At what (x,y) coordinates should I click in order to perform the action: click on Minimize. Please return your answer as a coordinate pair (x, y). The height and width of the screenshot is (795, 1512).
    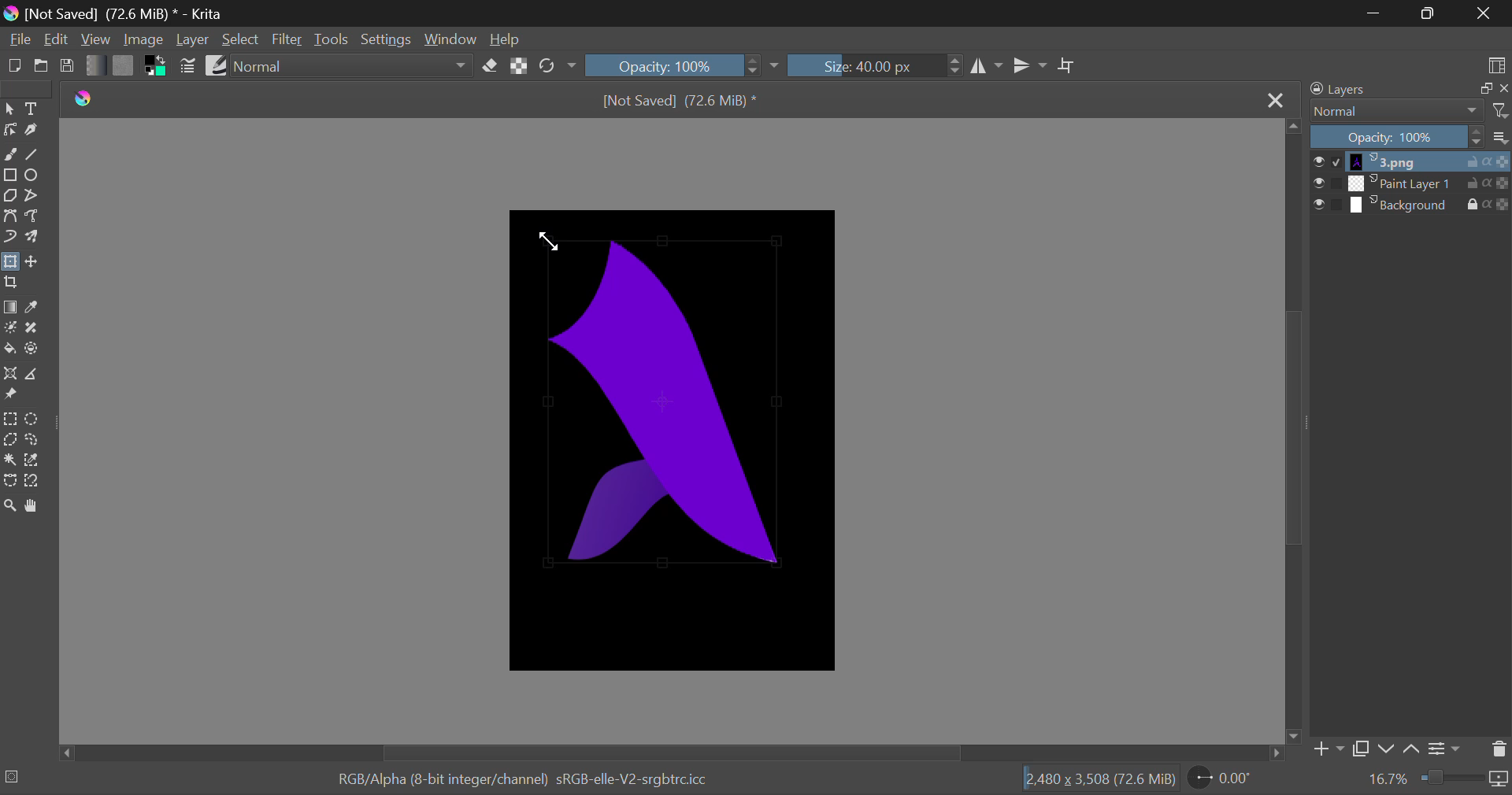
    Looking at the image, I should click on (1430, 13).